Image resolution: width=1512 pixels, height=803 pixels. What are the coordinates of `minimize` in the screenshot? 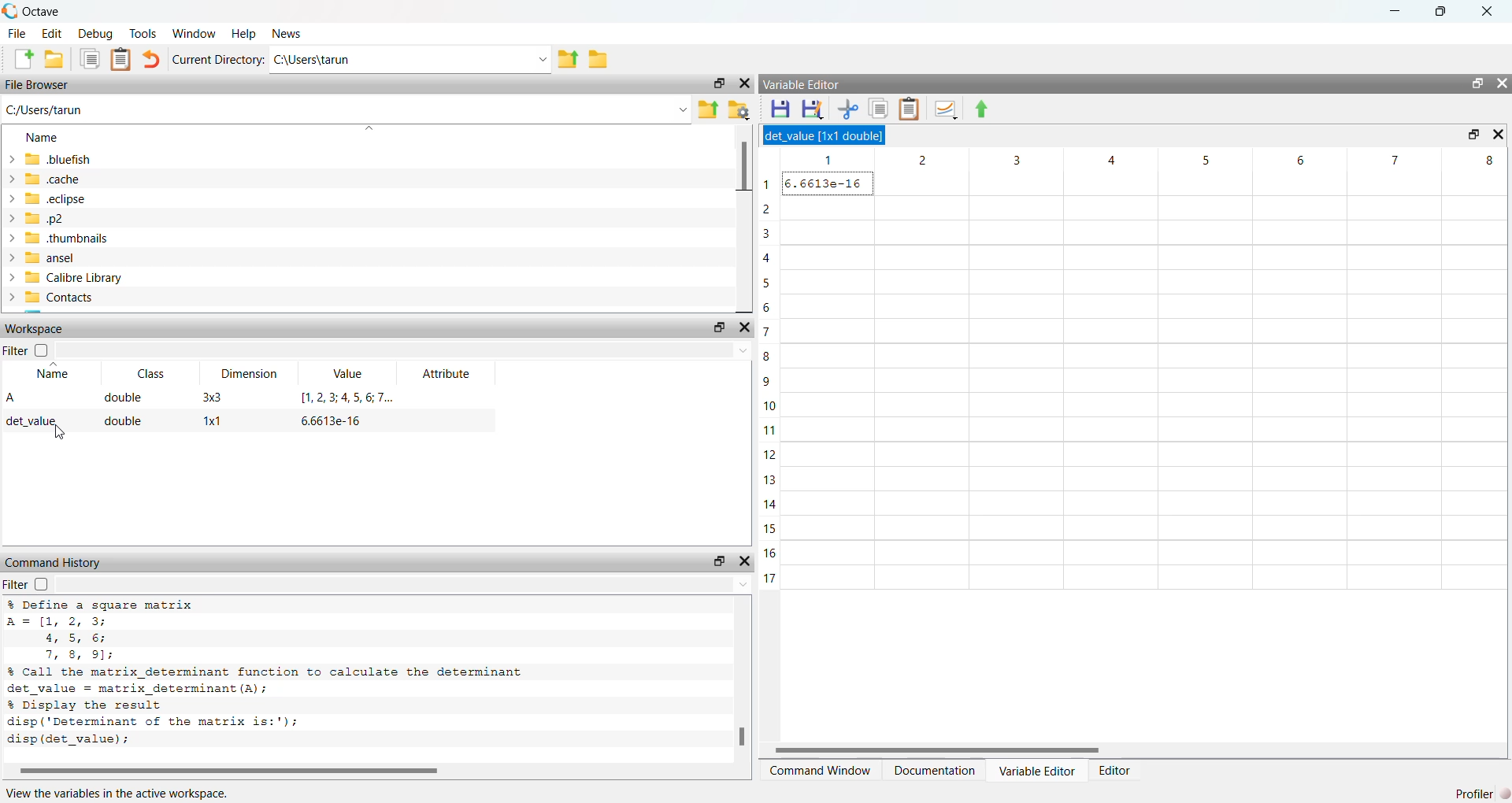 It's located at (1392, 13).